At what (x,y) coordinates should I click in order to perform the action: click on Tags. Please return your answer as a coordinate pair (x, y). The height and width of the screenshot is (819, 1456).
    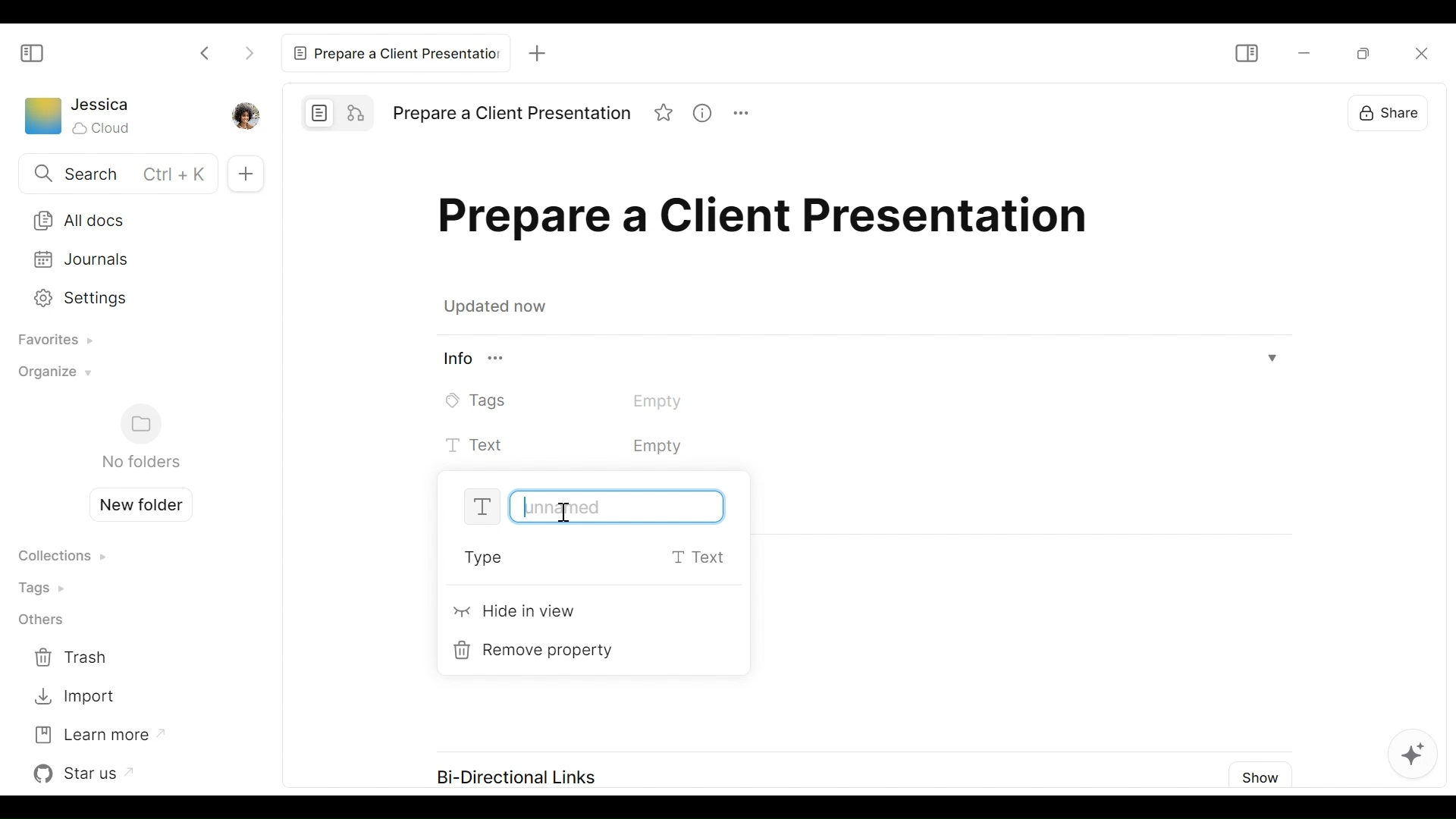
    Looking at the image, I should click on (585, 400).